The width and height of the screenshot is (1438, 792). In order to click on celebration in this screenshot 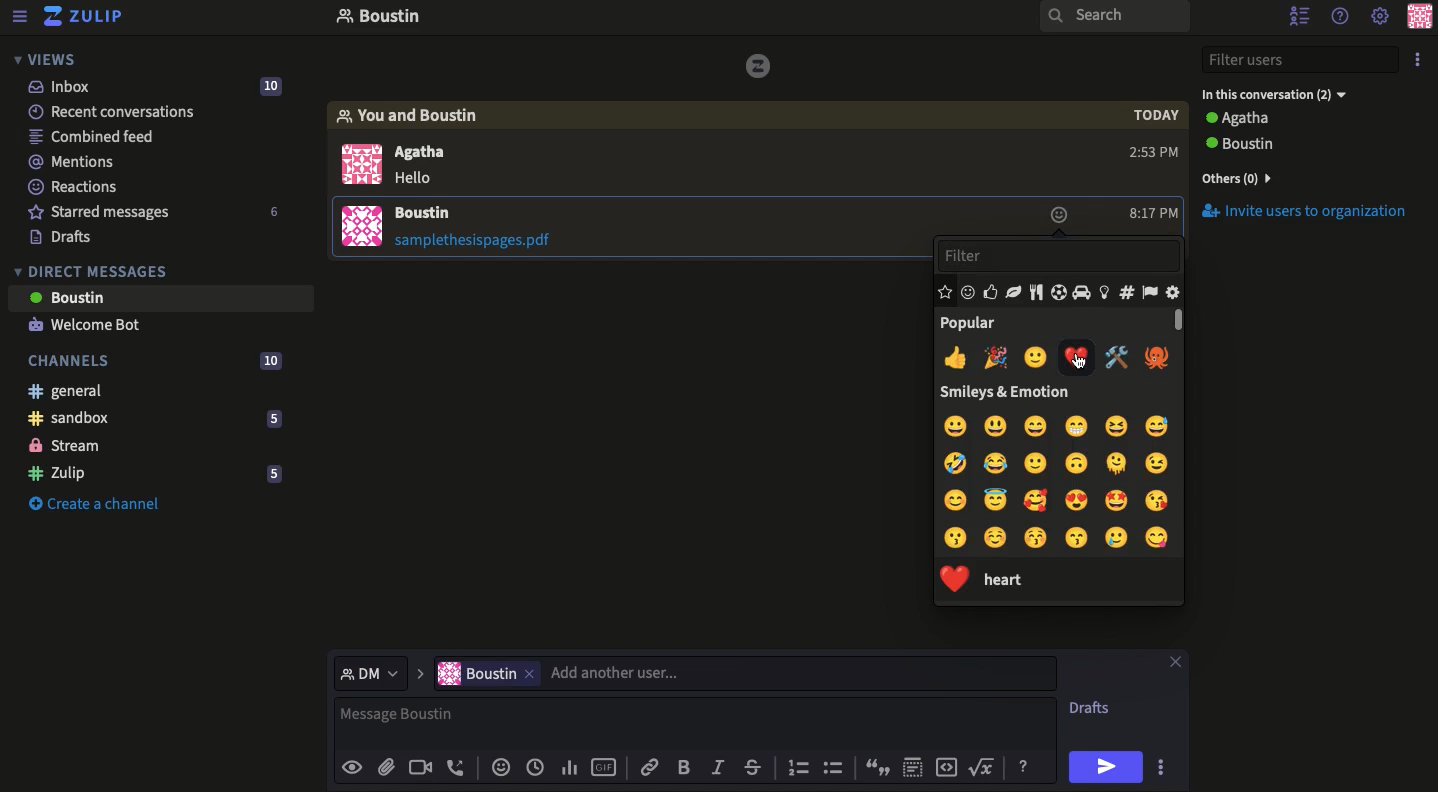, I will do `click(998, 359)`.